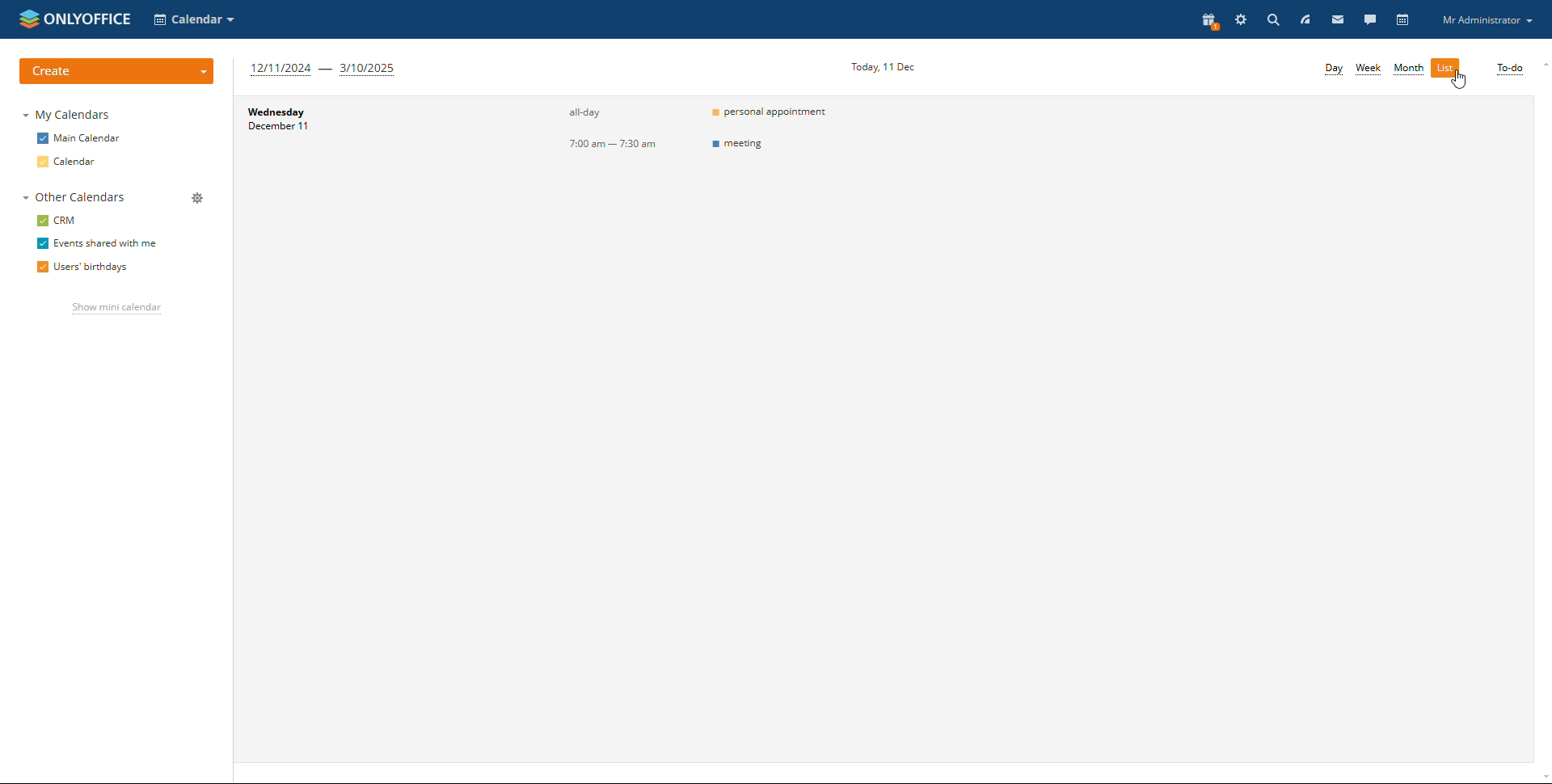 This screenshot has width=1552, height=784. Describe the element at coordinates (325, 70) in the screenshot. I see `next 3 months` at that location.